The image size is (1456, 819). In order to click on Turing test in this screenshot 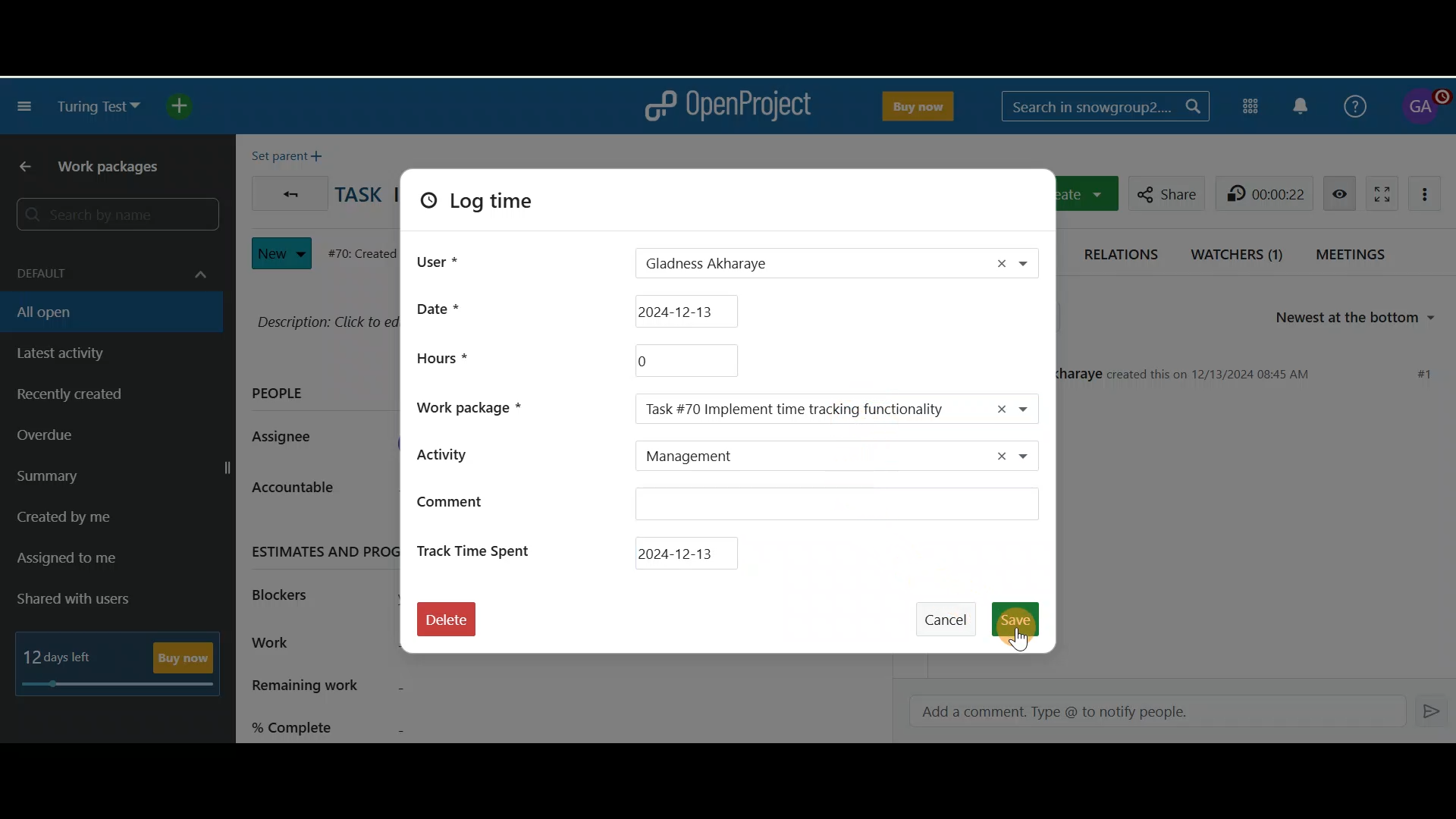, I will do `click(99, 107)`.